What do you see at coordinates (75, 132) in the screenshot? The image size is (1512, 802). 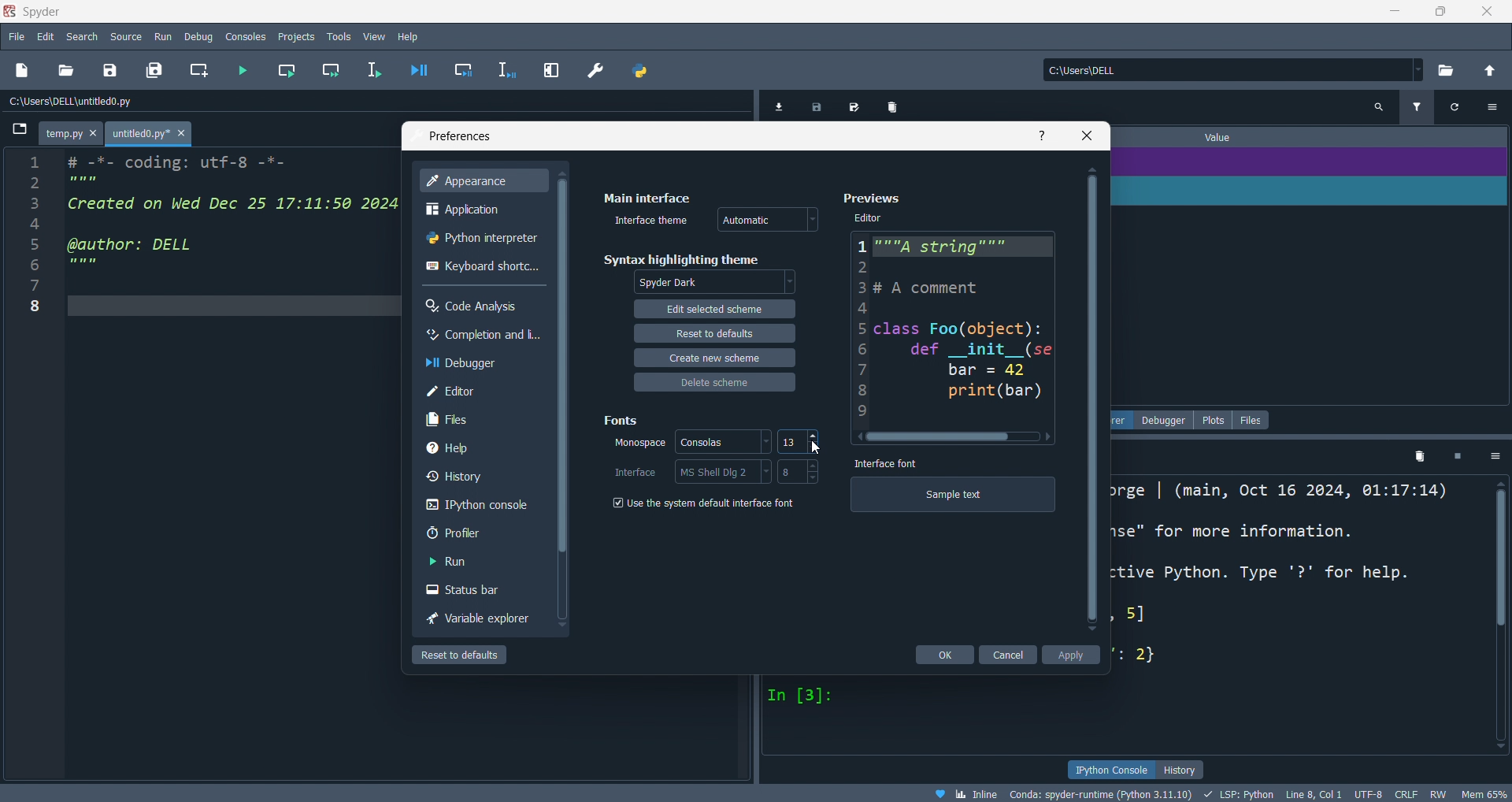 I see `temp.py` at bounding box center [75, 132].